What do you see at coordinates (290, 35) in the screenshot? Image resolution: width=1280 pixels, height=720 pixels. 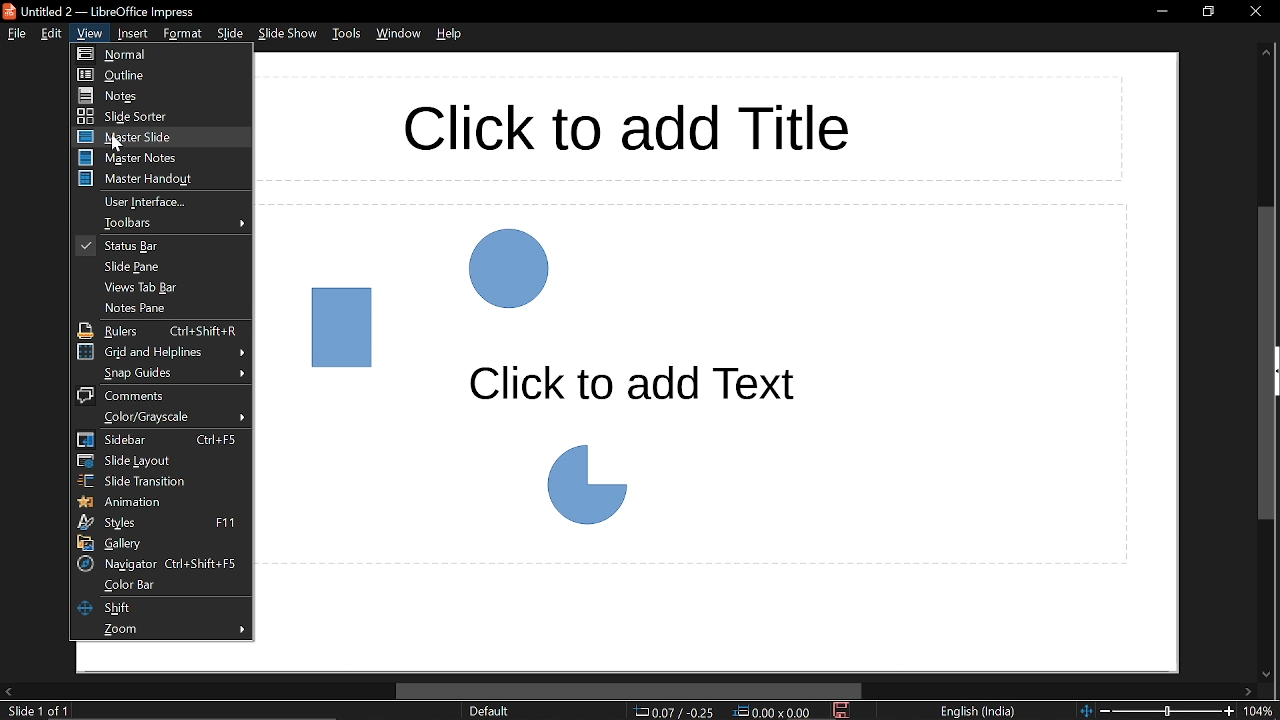 I see `Slide show` at bounding box center [290, 35].